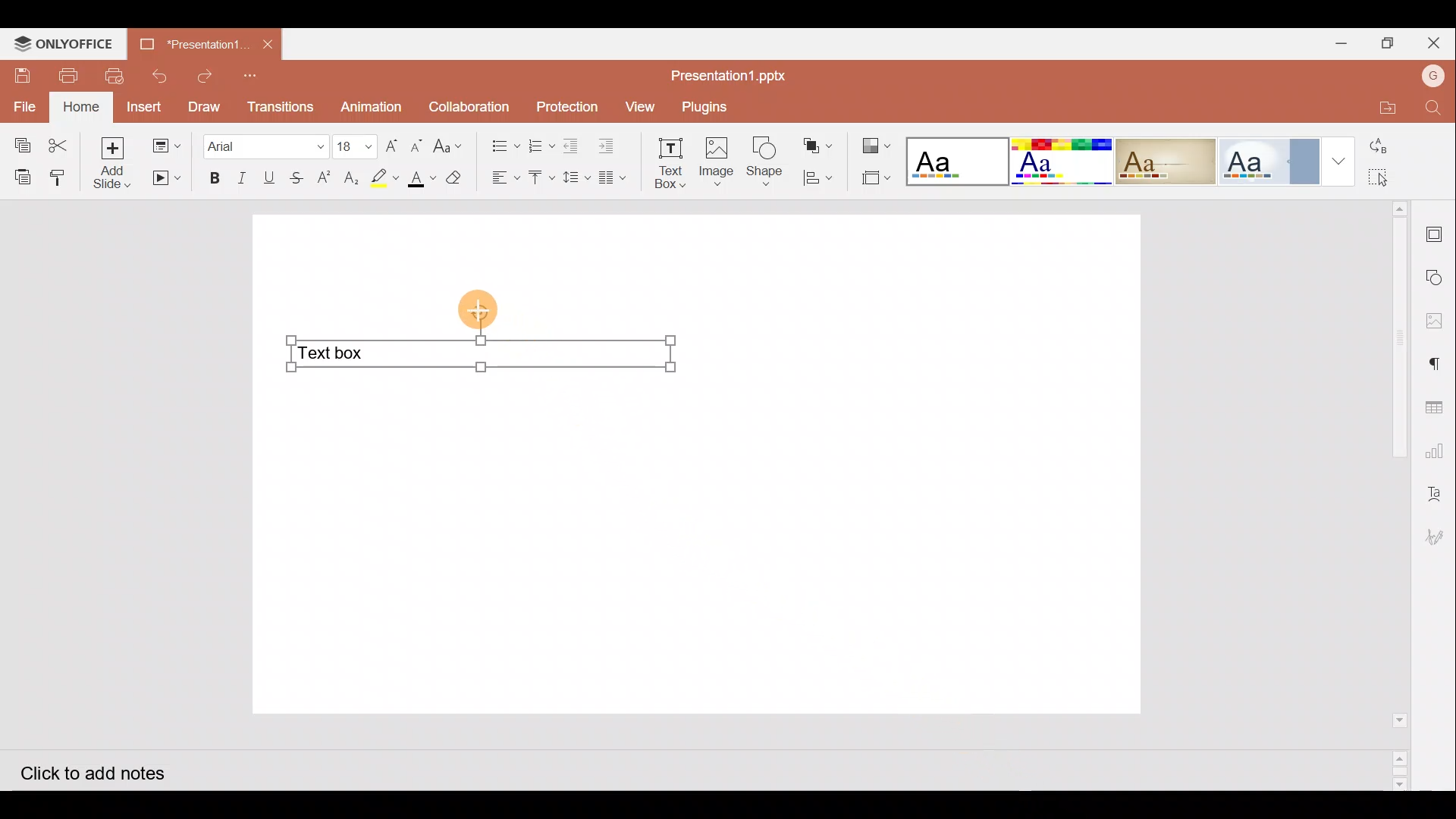 Image resolution: width=1456 pixels, height=819 pixels. What do you see at coordinates (1439, 232) in the screenshot?
I see `Slide settings` at bounding box center [1439, 232].